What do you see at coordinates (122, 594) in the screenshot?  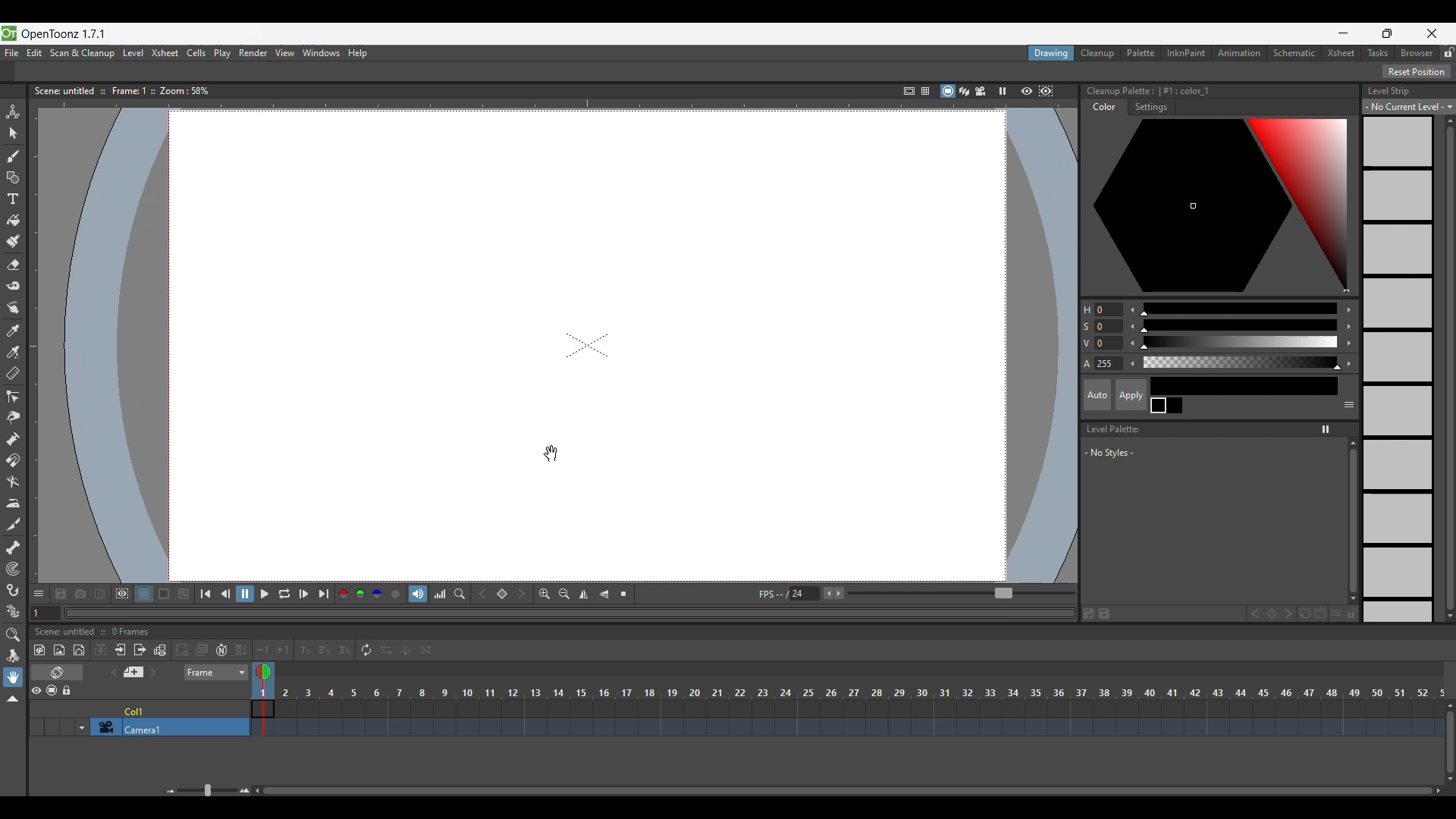 I see `Define sub-camera` at bounding box center [122, 594].